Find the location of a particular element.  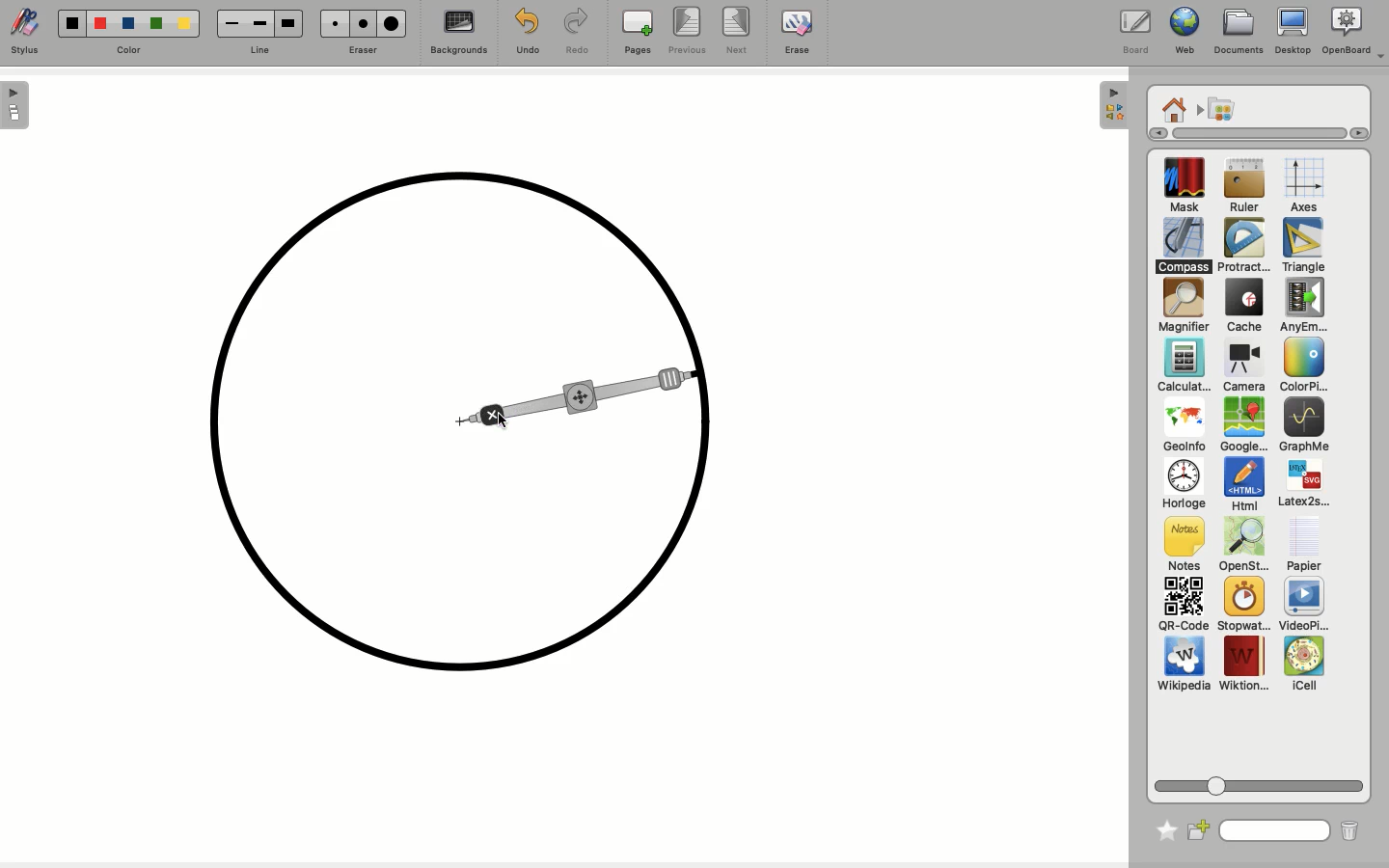

color is located at coordinates (128, 49).